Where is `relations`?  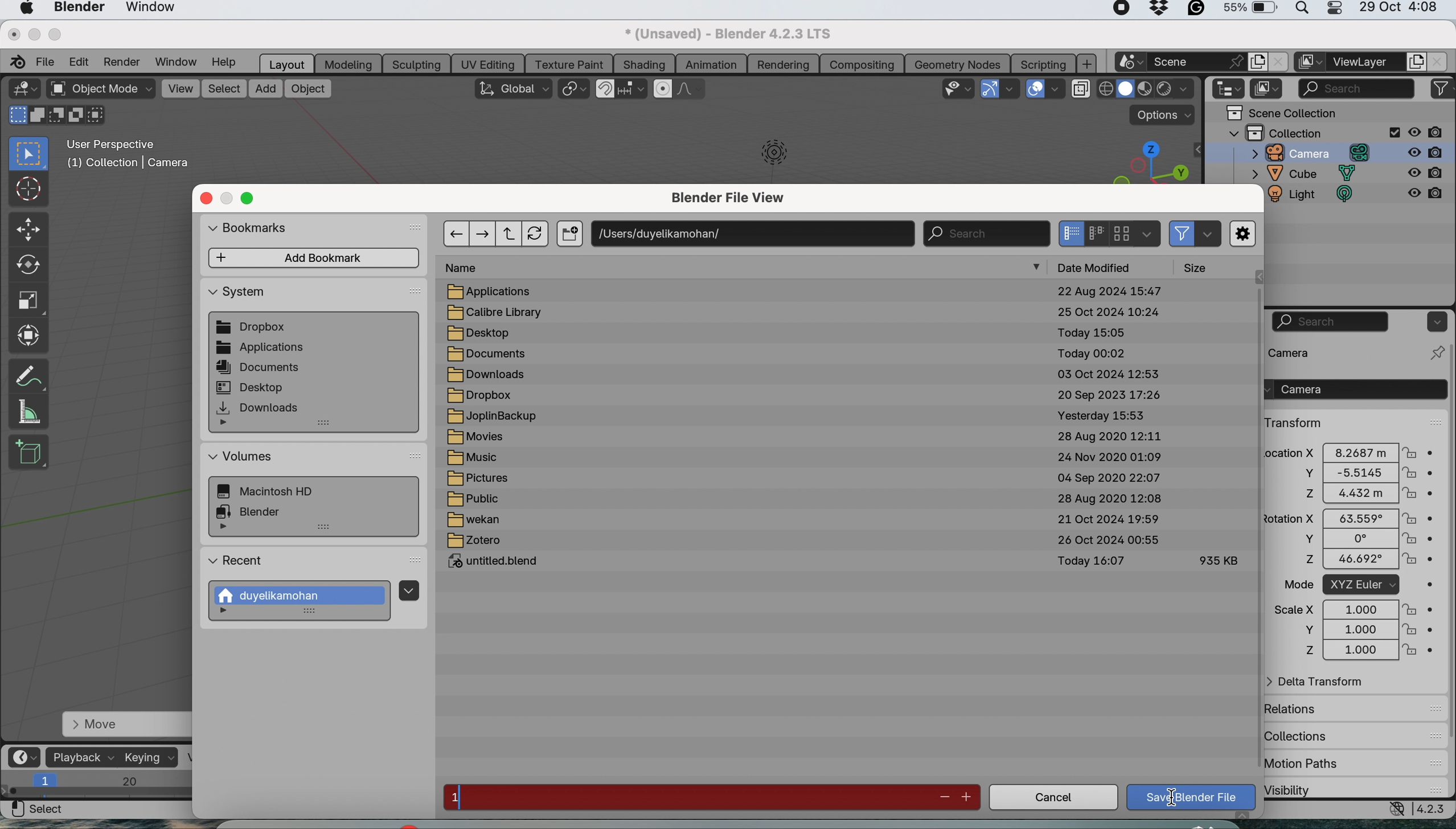 relations is located at coordinates (1316, 708).